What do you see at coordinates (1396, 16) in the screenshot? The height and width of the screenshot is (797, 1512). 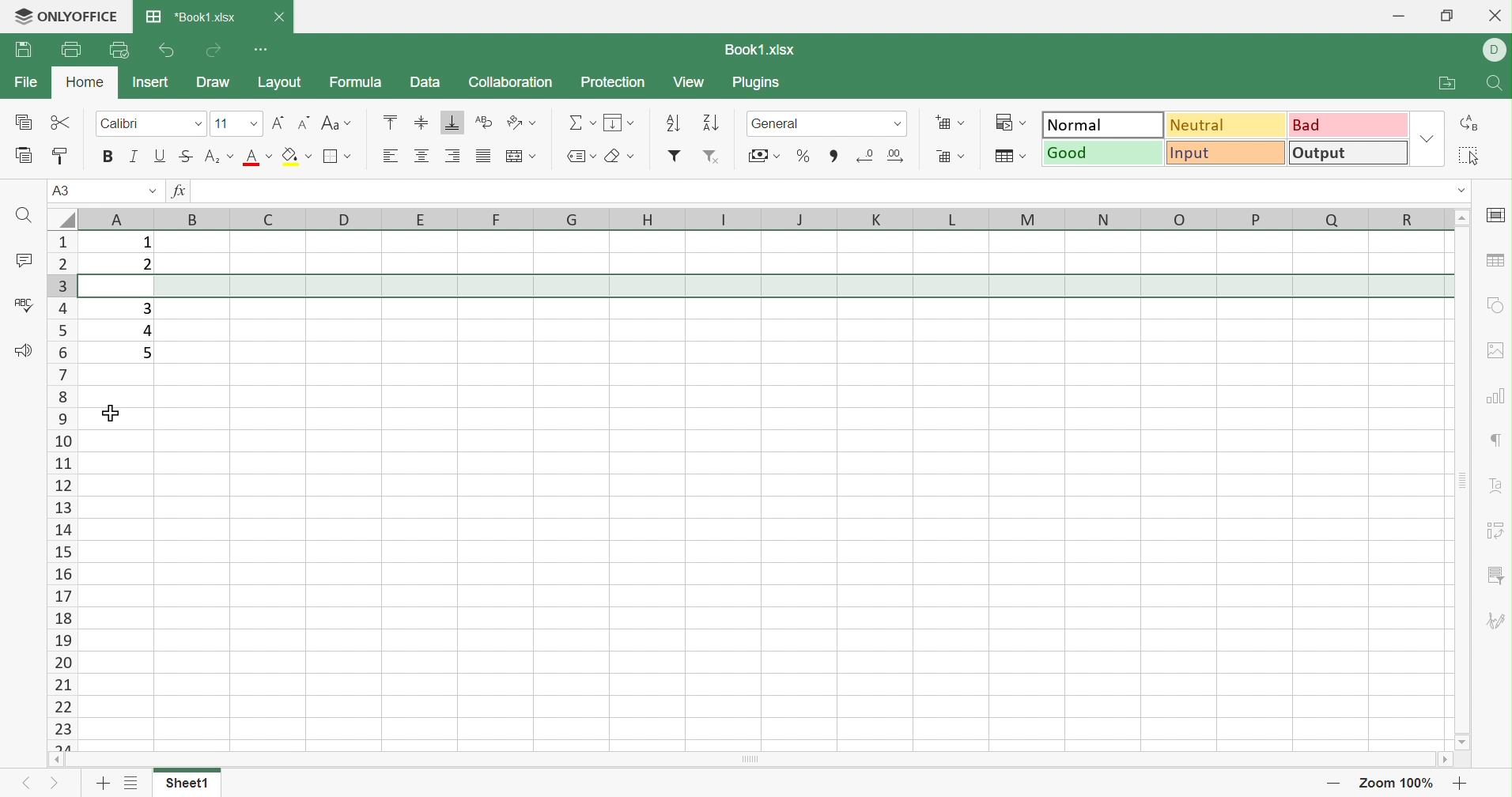 I see `Minimize` at bounding box center [1396, 16].